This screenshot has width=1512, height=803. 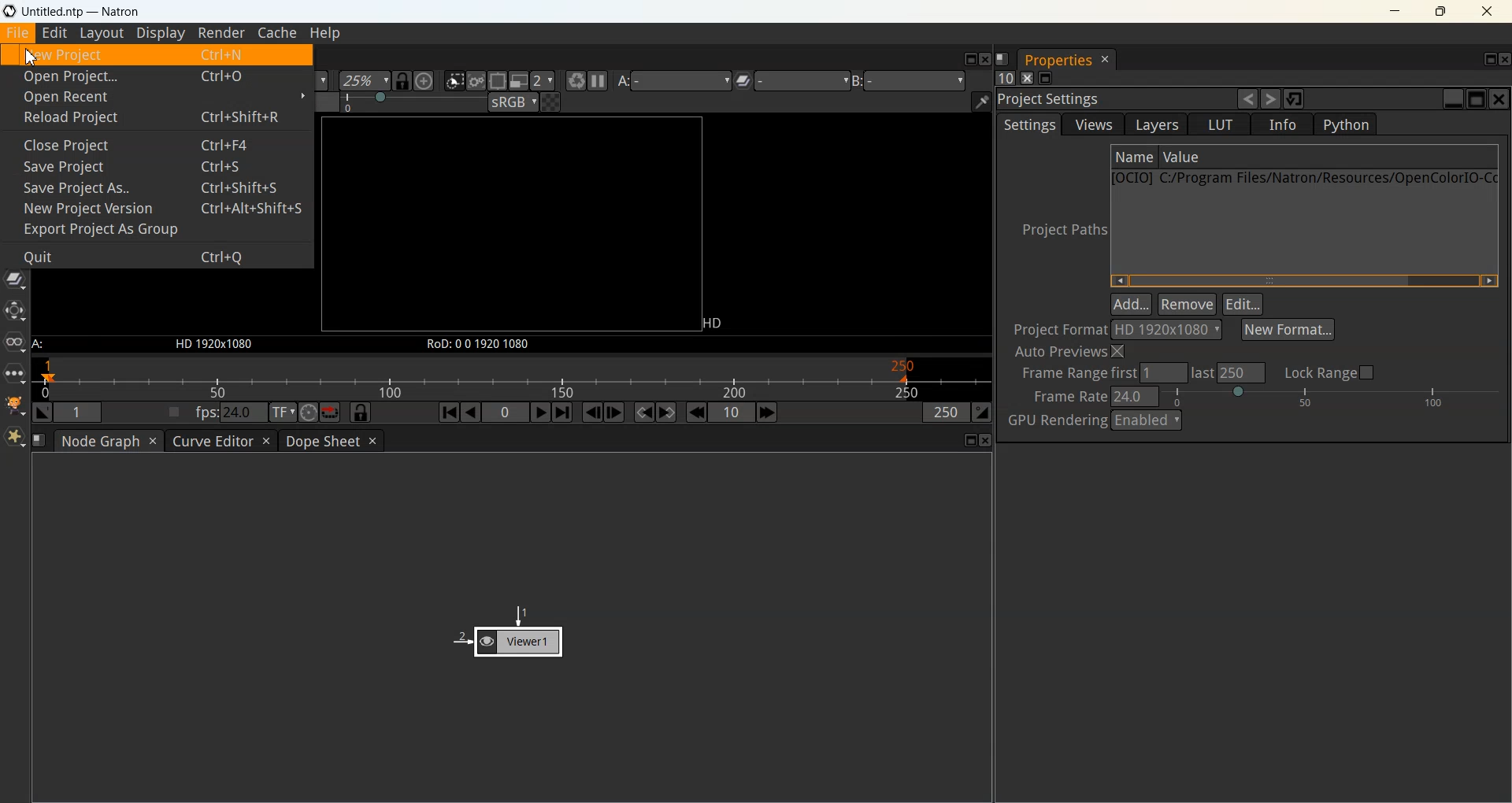 What do you see at coordinates (597, 80) in the screenshot?
I see `Pause Updates` at bounding box center [597, 80].